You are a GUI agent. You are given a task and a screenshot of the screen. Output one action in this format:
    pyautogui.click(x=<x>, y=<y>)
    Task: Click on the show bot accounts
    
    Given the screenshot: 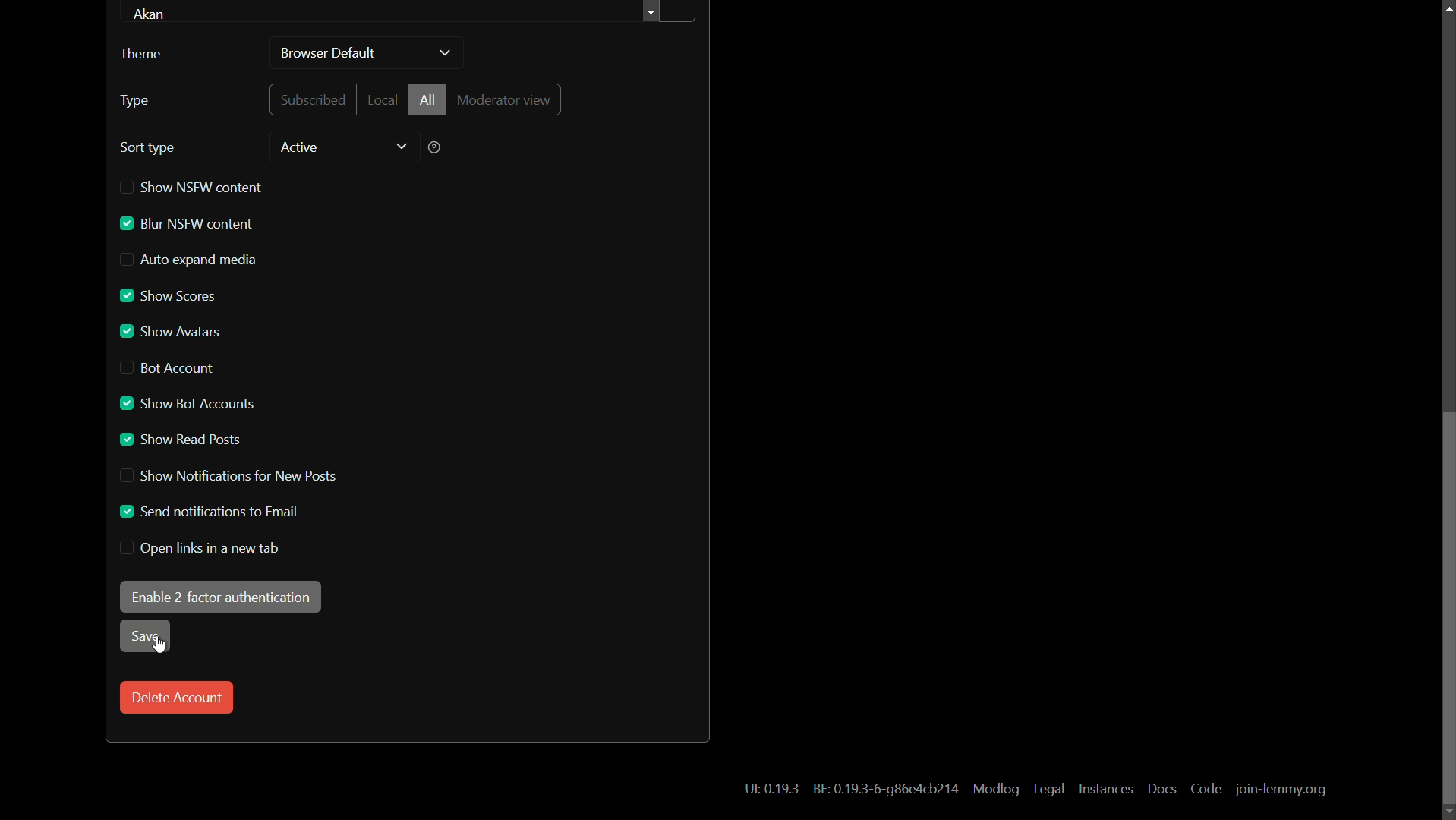 What is the action you would take?
    pyautogui.click(x=184, y=404)
    